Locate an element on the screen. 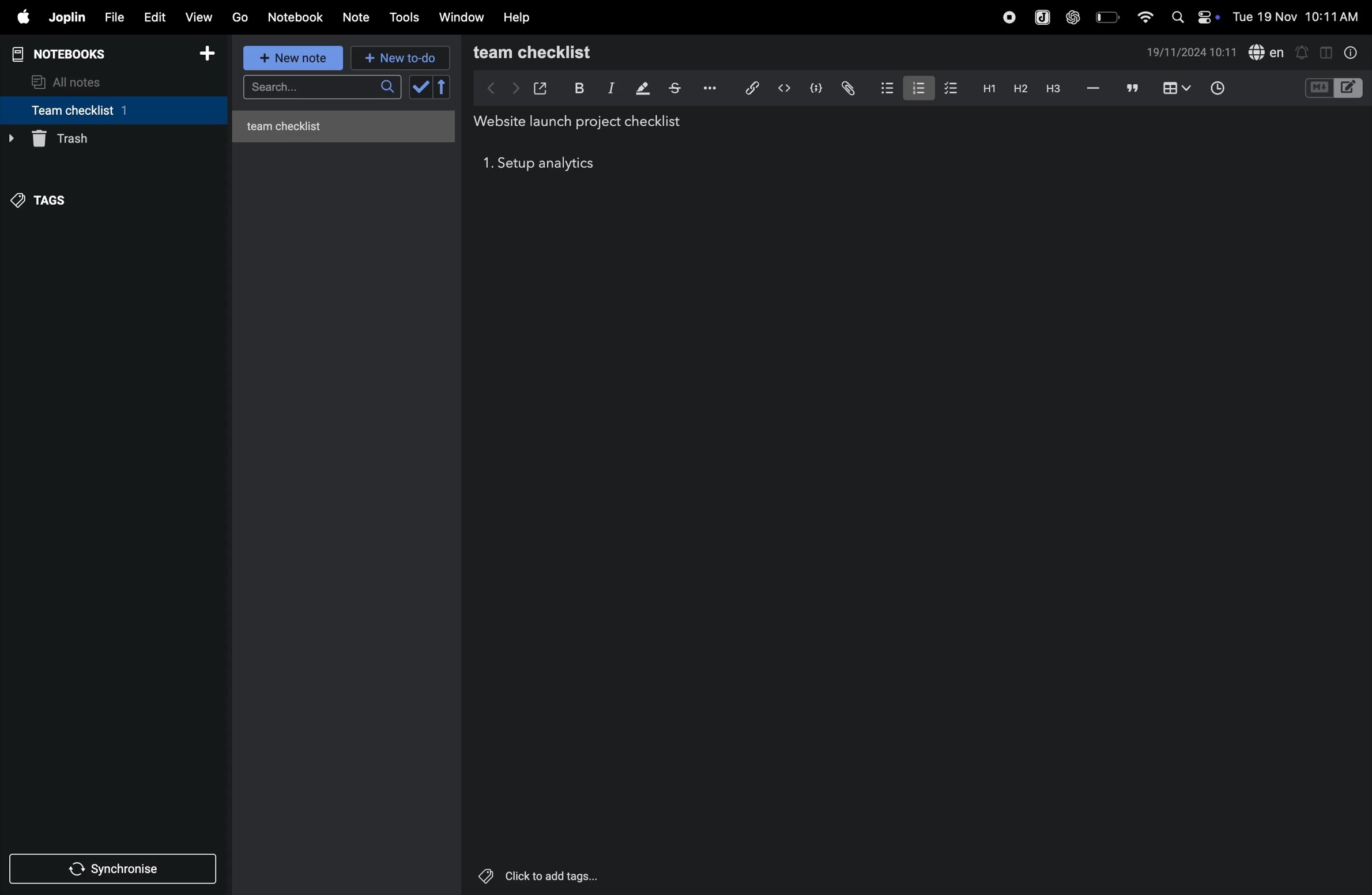 The width and height of the screenshot is (1372, 895). edit is located at coordinates (154, 16).